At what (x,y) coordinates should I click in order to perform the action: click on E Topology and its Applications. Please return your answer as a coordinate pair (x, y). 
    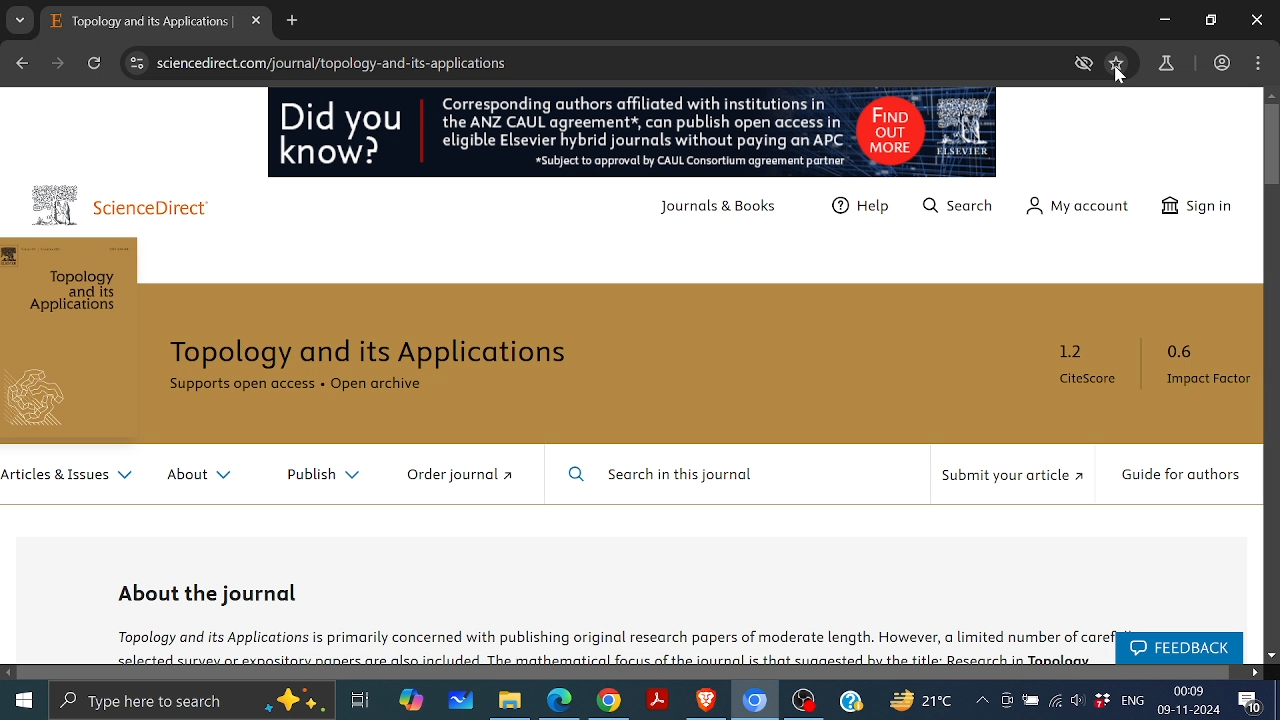
    Looking at the image, I should click on (143, 23).